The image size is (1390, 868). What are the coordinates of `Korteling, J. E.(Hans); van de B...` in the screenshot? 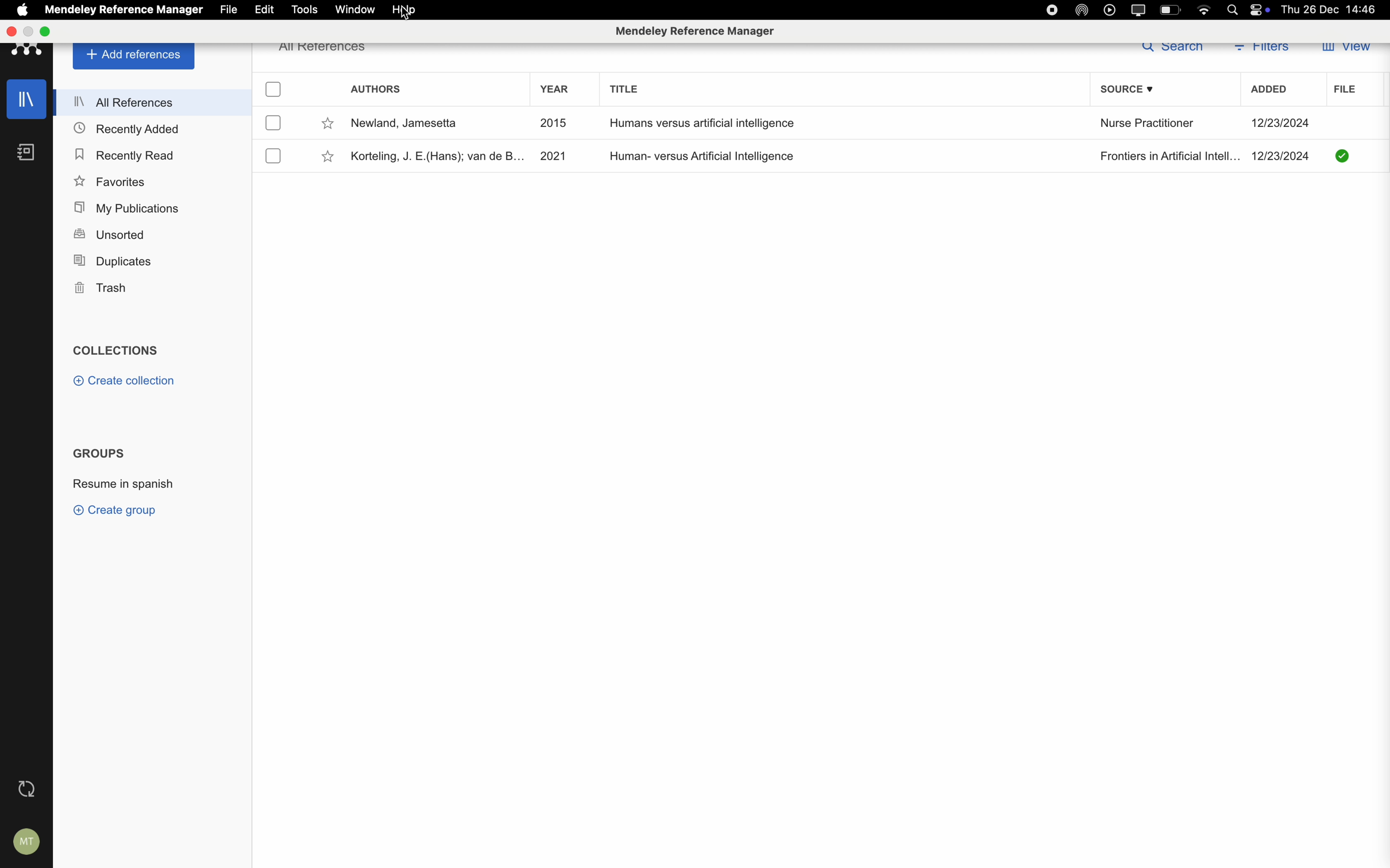 It's located at (436, 154).